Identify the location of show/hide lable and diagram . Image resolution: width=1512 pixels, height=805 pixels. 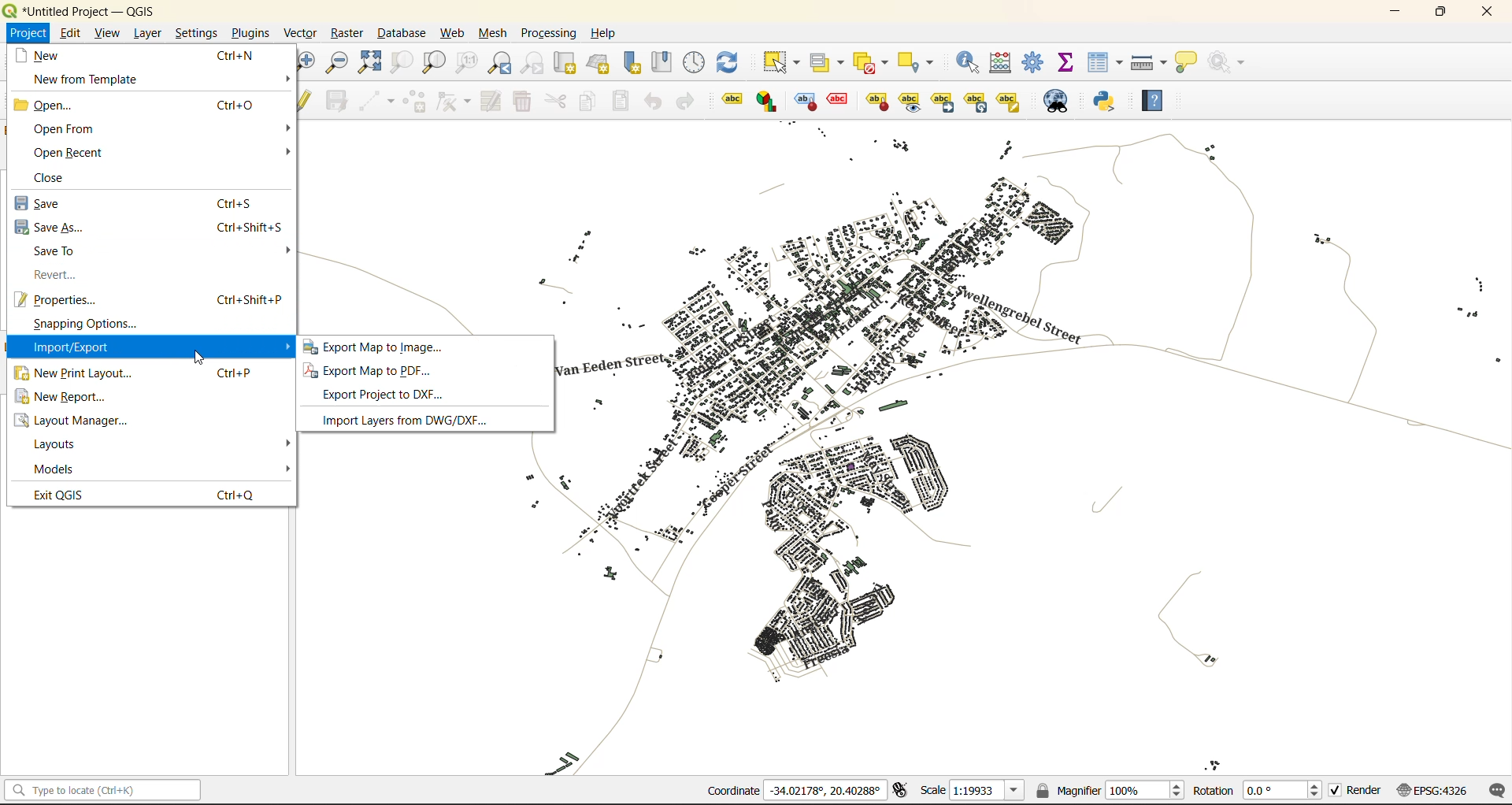
(876, 100).